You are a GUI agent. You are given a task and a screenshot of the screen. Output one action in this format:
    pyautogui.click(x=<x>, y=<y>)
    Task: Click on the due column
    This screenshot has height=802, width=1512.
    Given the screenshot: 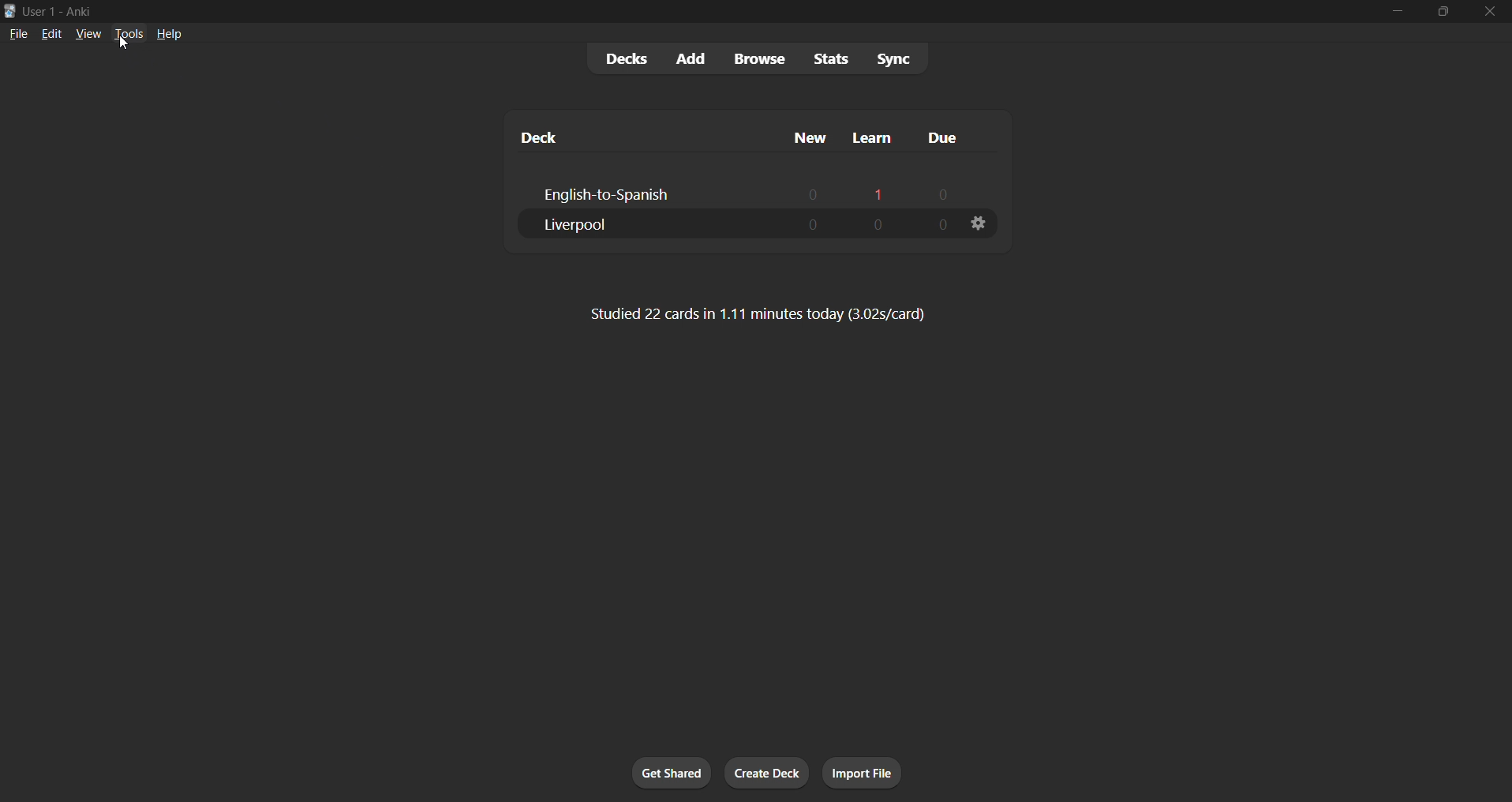 What is the action you would take?
    pyautogui.click(x=952, y=137)
    